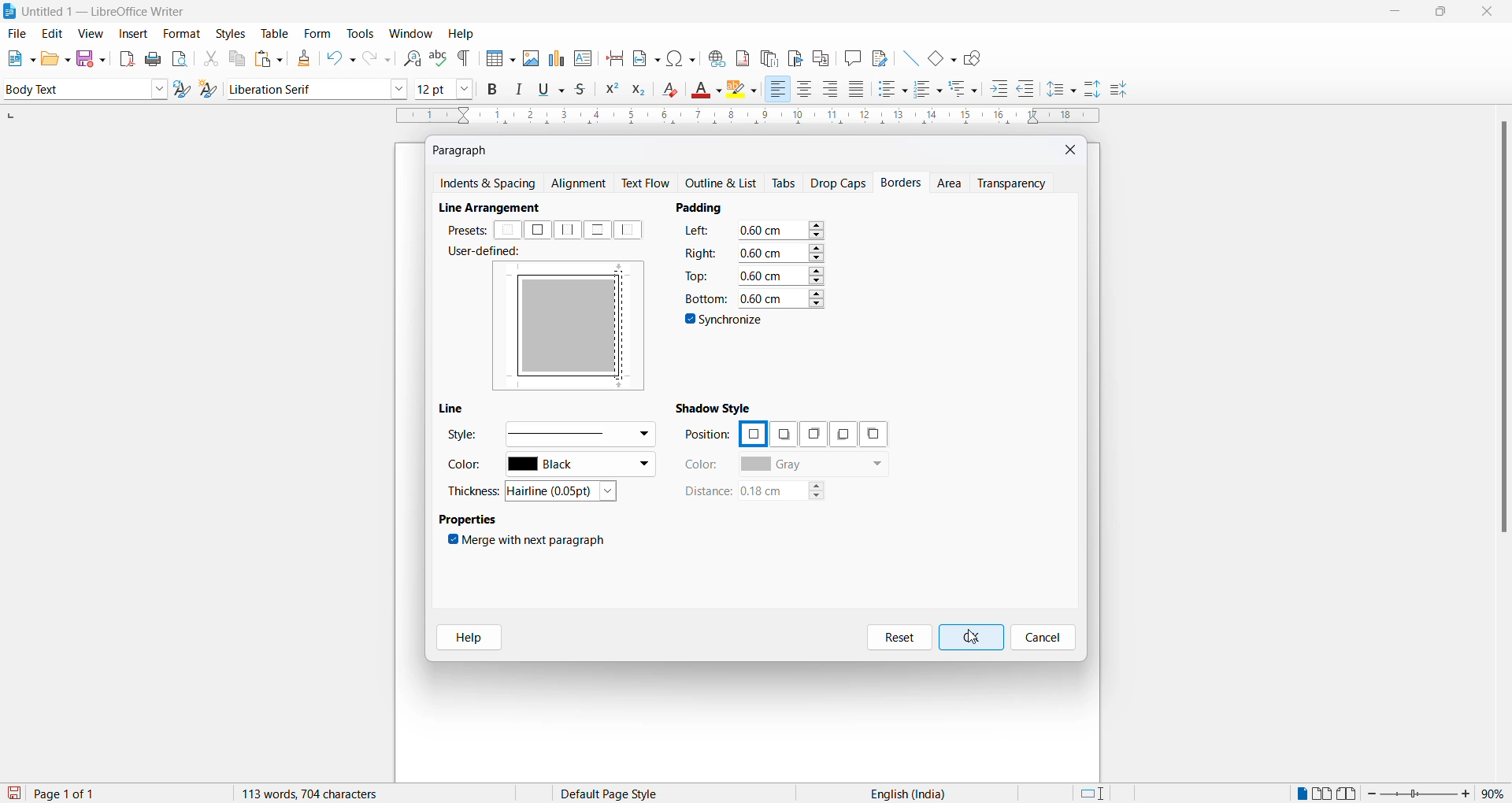 Image resolution: width=1512 pixels, height=803 pixels. What do you see at coordinates (717, 407) in the screenshot?
I see `shadow style` at bounding box center [717, 407].